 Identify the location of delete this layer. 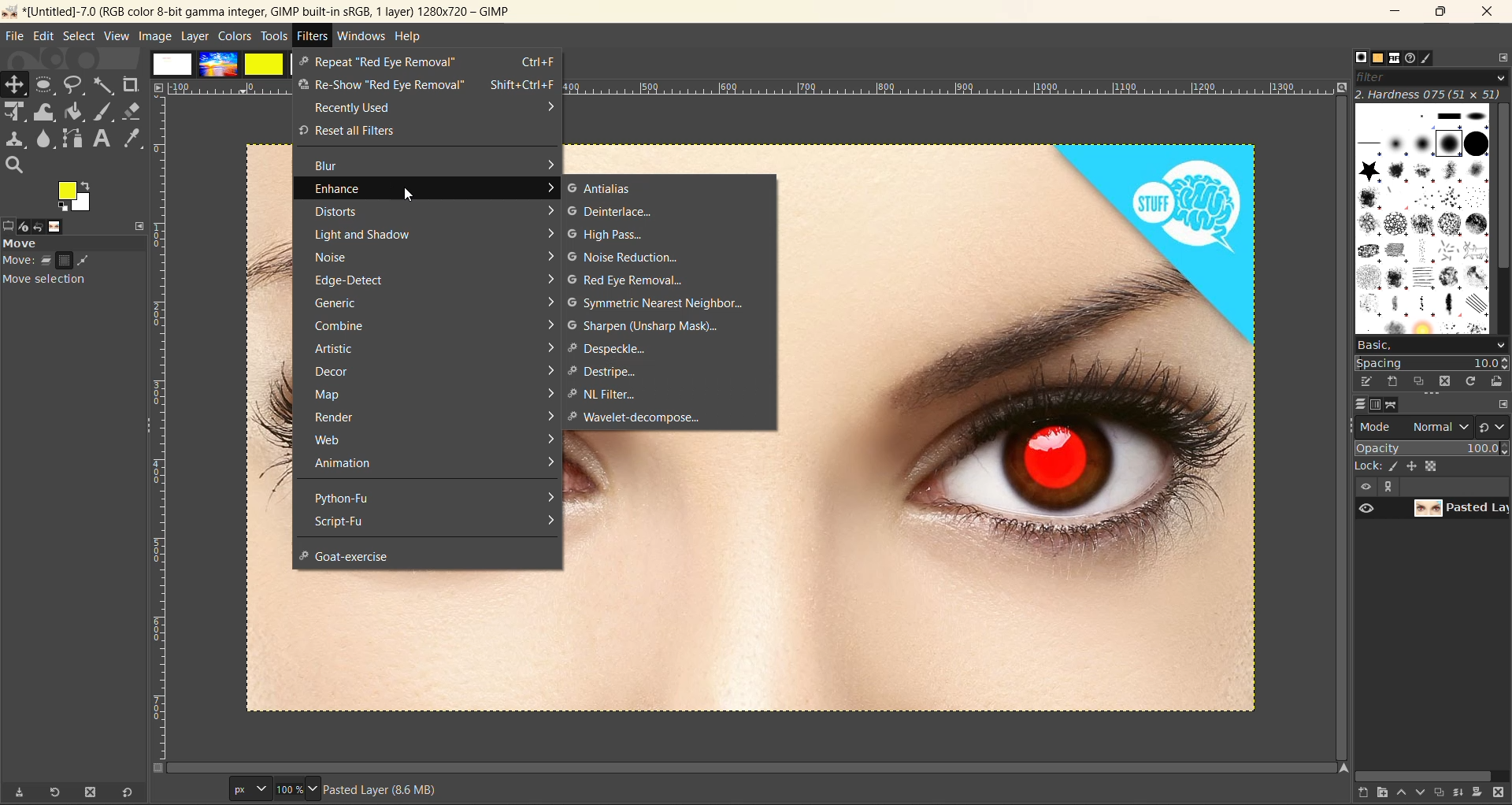
(1503, 796).